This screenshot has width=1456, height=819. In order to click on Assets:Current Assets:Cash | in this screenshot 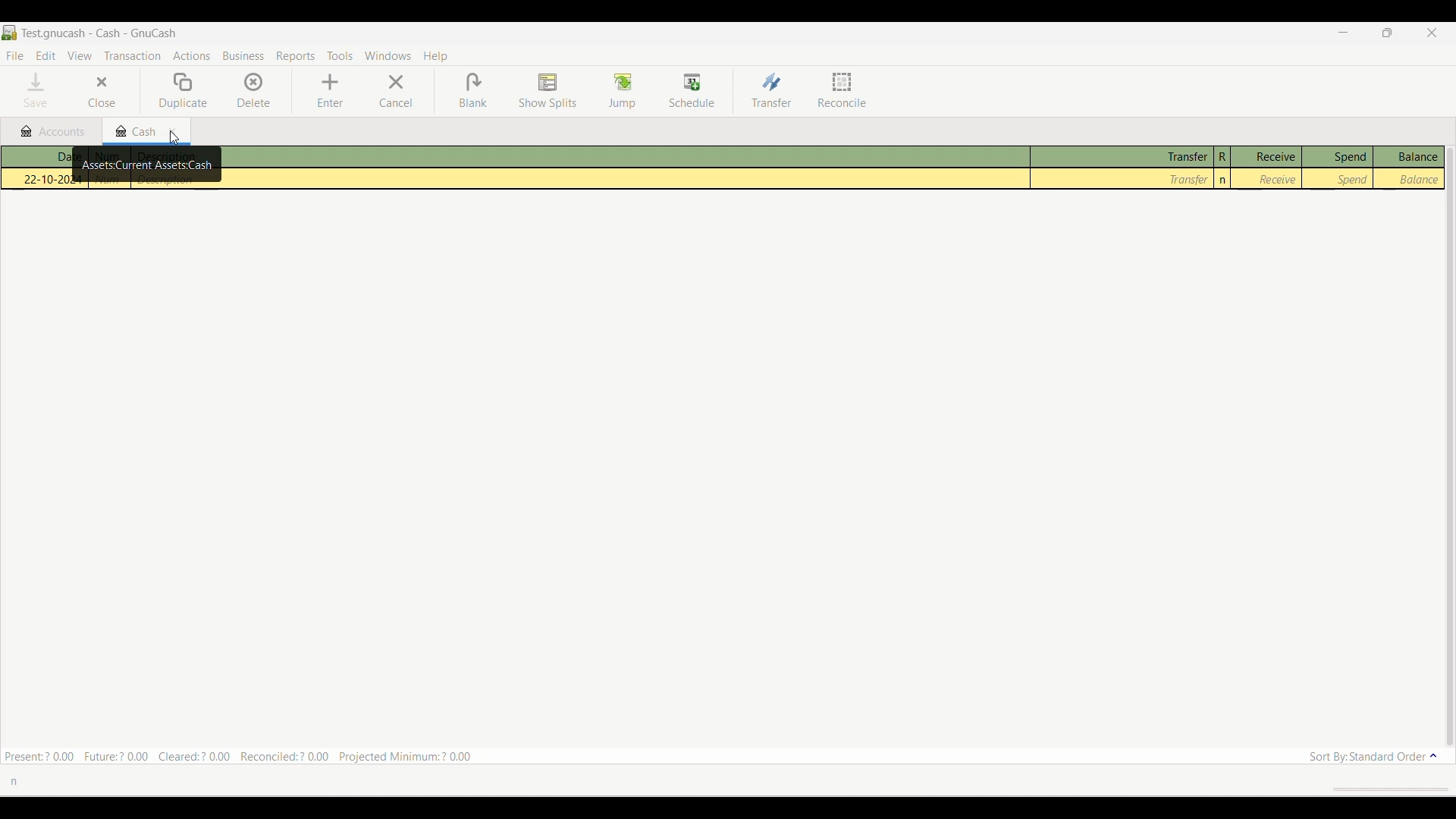, I will do `click(149, 165)`.